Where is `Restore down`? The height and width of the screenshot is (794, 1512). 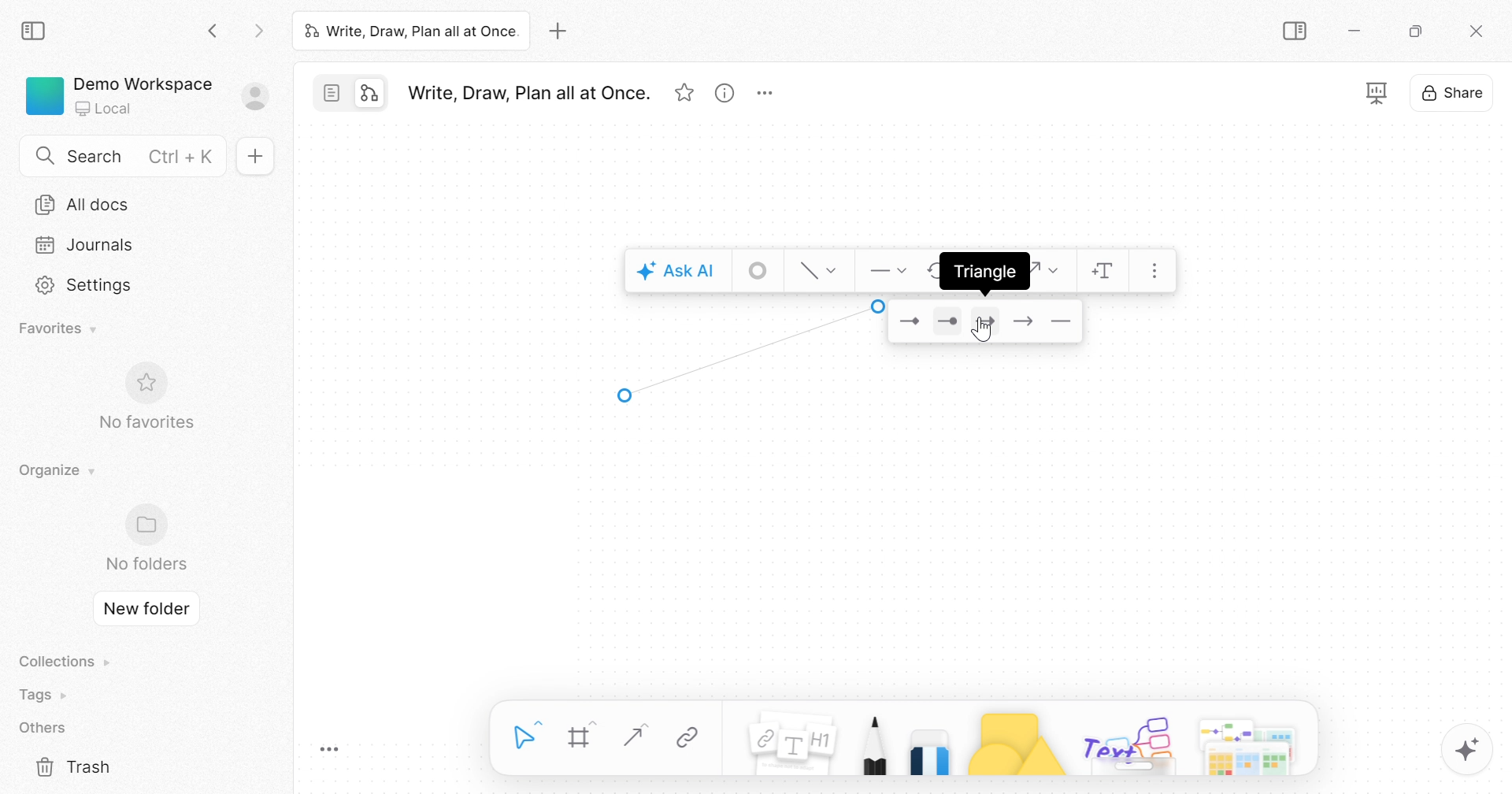 Restore down is located at coordinates (1415, 33).